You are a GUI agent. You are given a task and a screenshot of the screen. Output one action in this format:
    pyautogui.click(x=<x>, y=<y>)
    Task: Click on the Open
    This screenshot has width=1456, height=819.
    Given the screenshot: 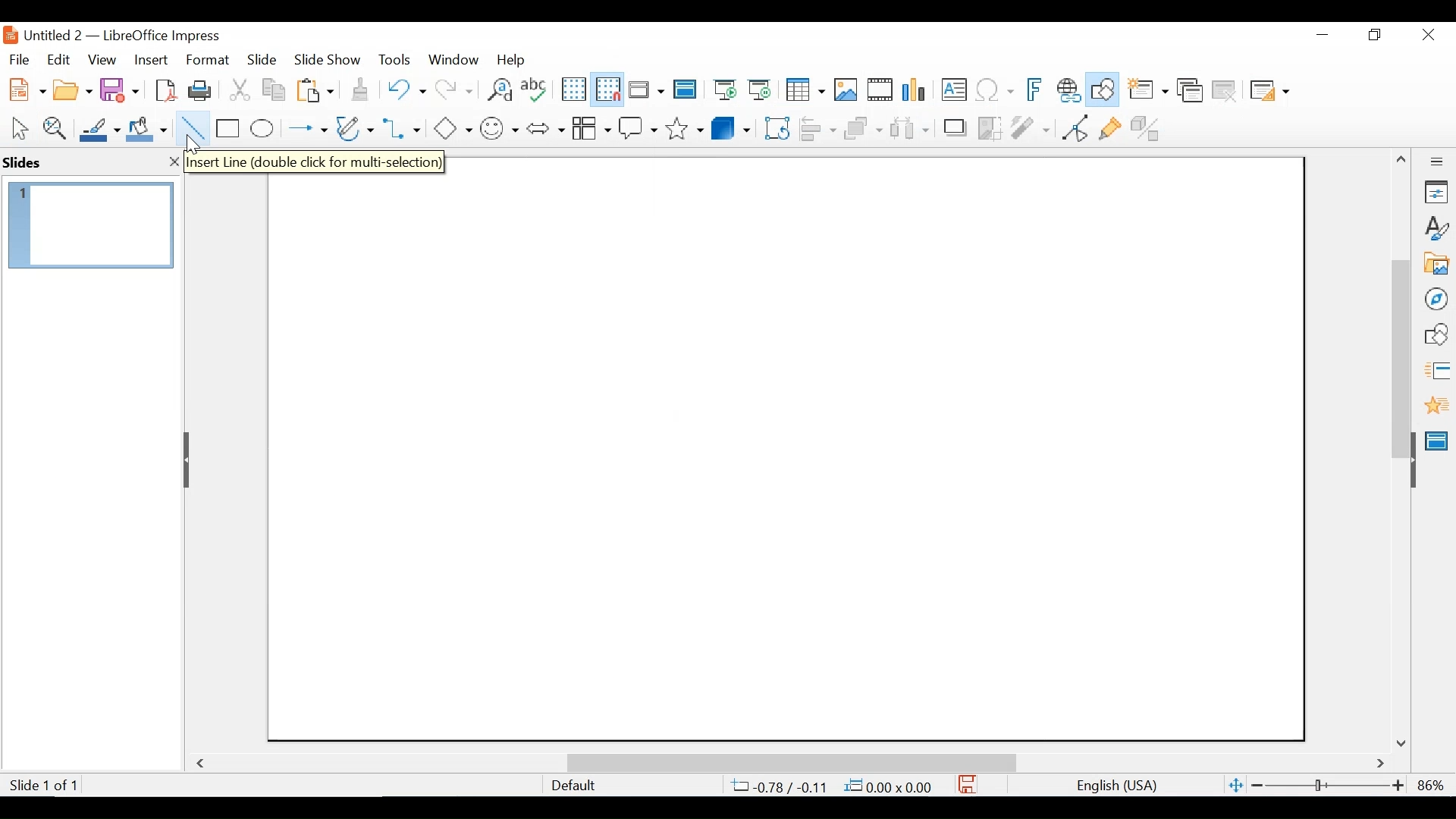 What is the action you would take?
    pyautogui.click(x=72, y=88)
    